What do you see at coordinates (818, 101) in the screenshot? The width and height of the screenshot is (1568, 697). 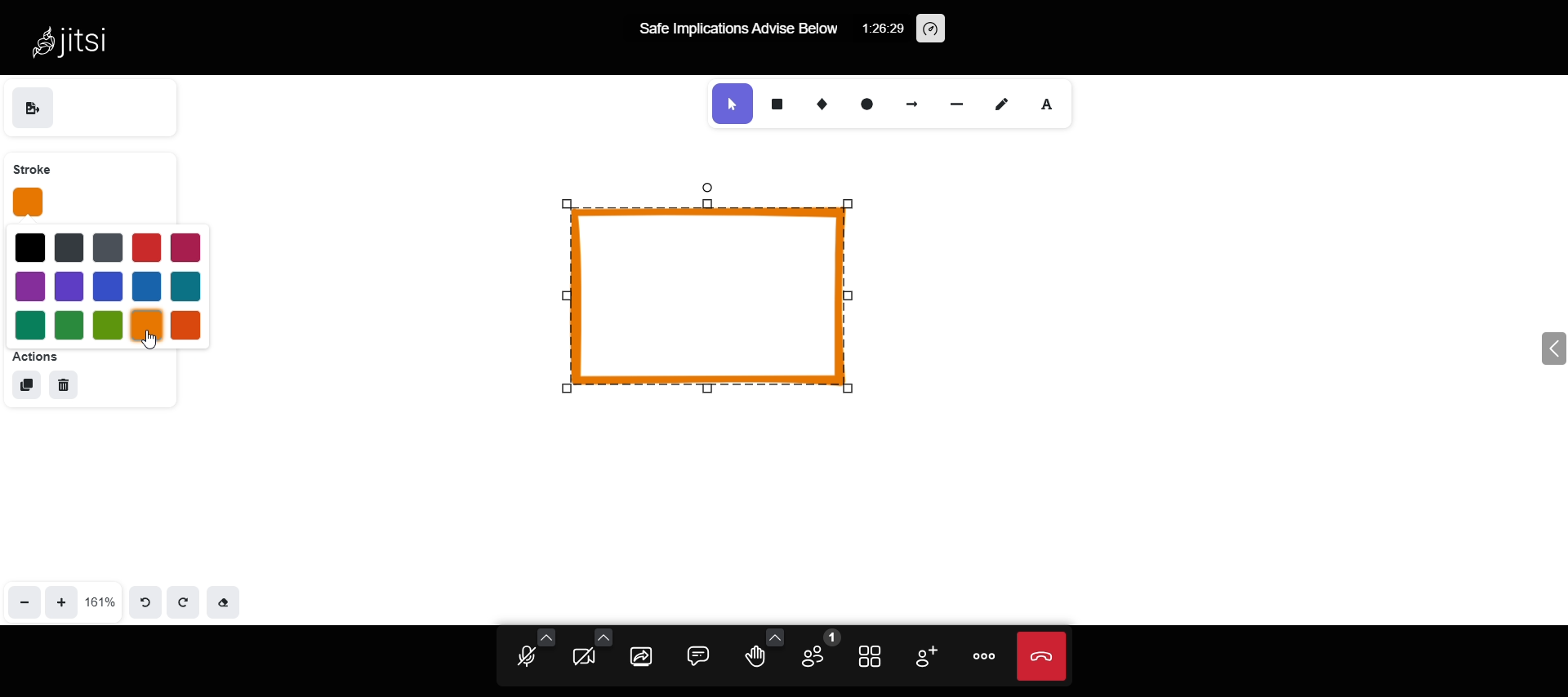 I see `diamond` at bounding box center [818, 101].